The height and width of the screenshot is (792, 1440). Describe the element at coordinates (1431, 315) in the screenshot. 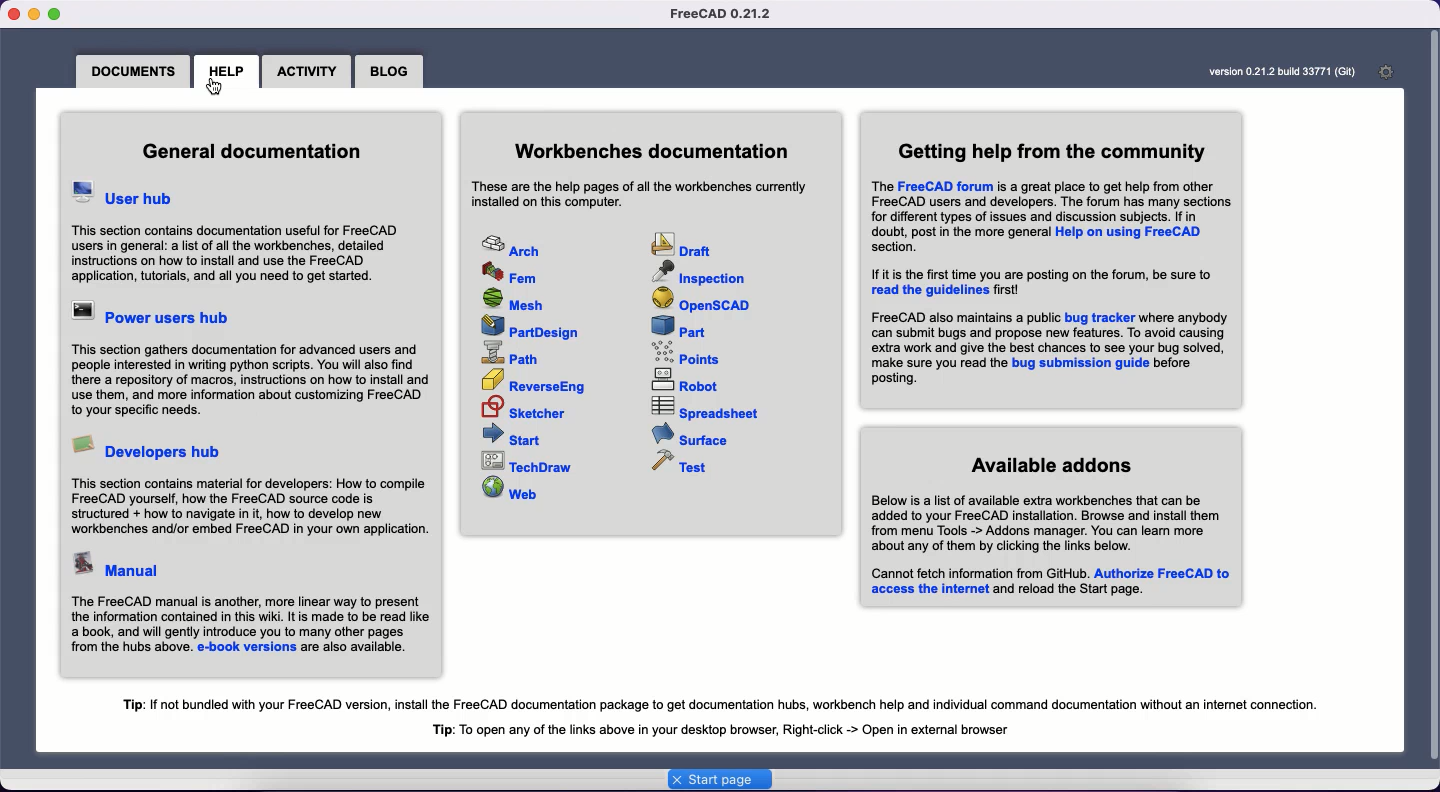

I see `Scroll` at that location.